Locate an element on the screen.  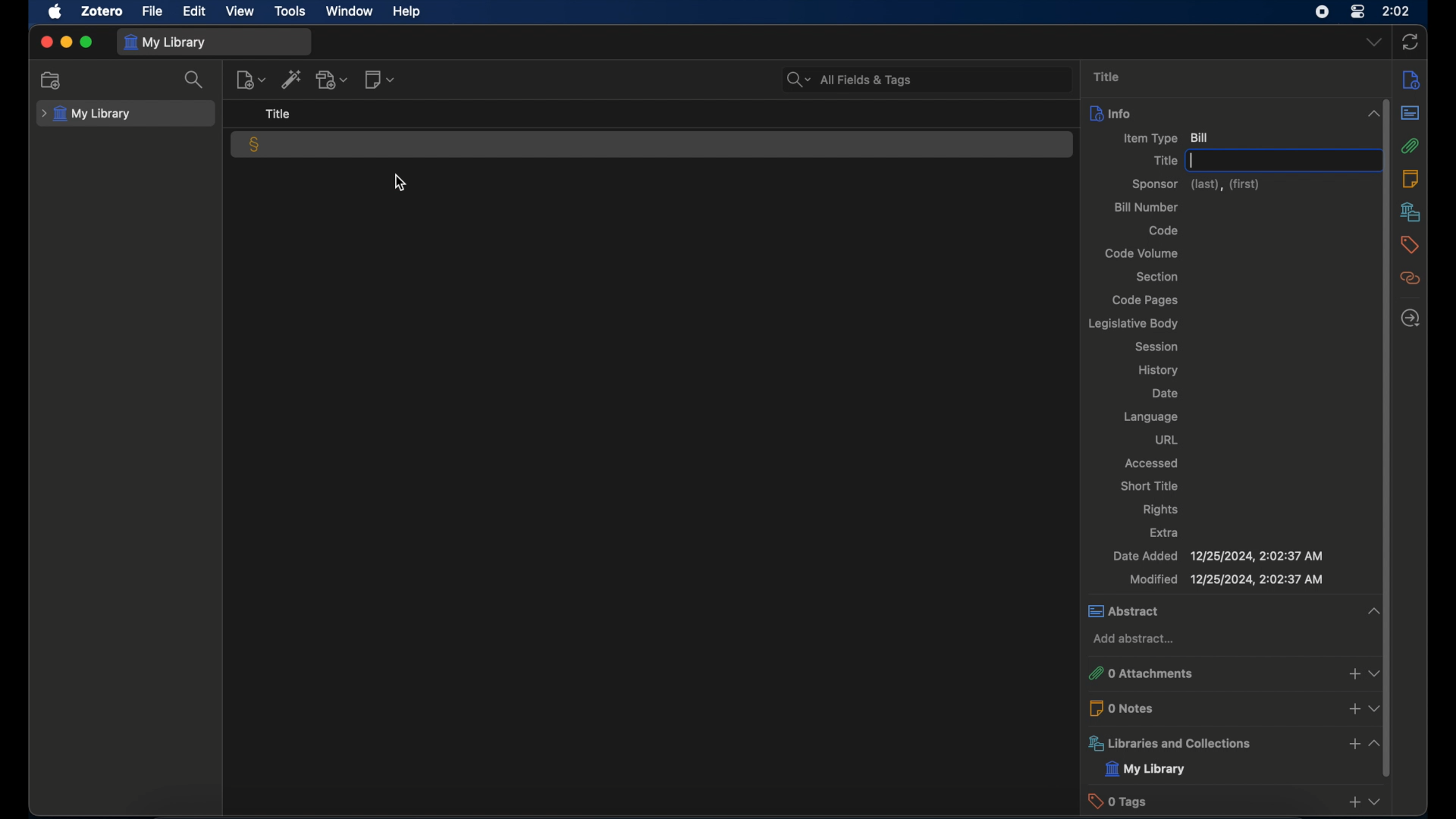
cursor is located at coordinates (400, 183).